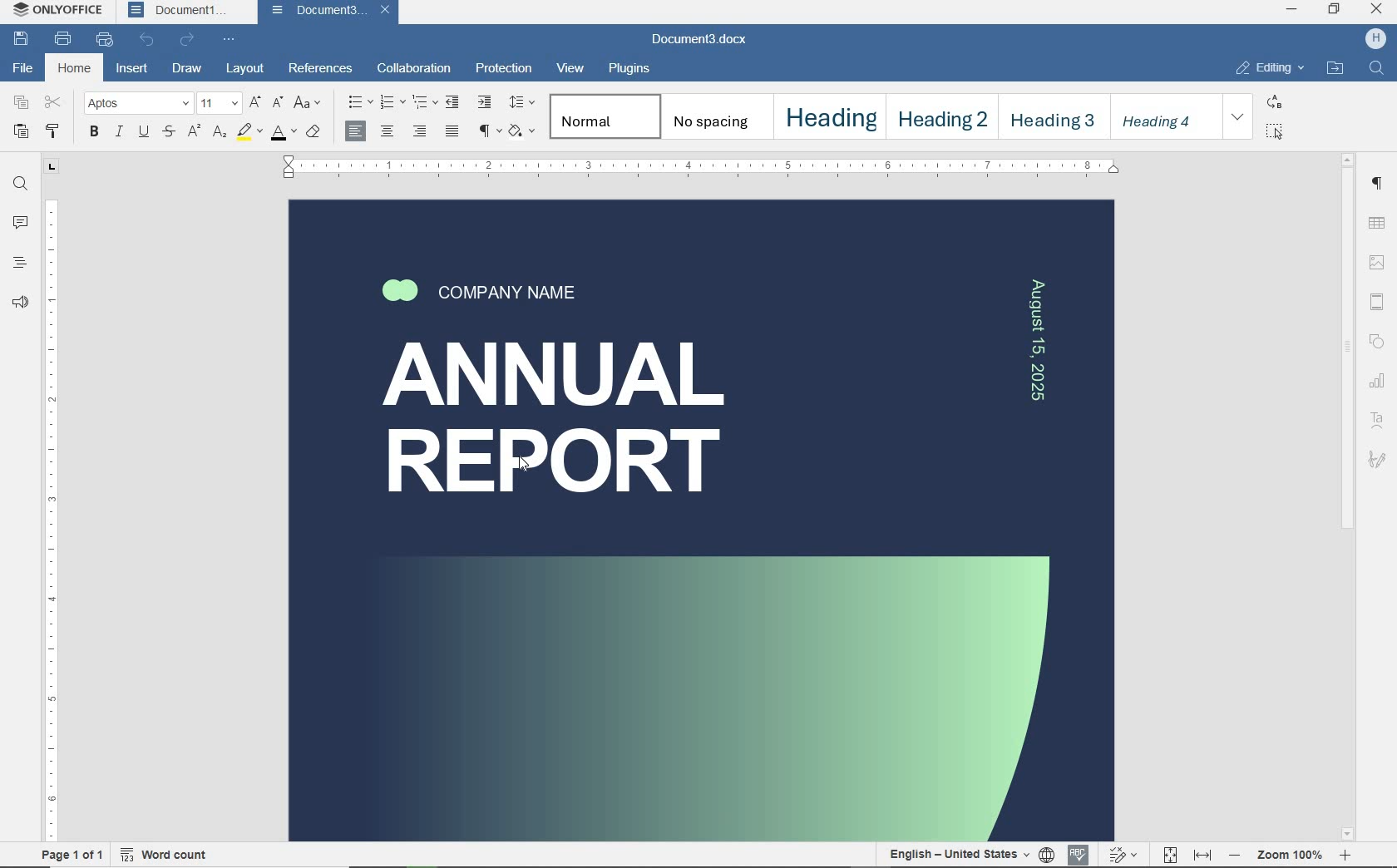 The height and width of the screenshot is (868, 1397). I want to click on minimize, so click(1292, 10).